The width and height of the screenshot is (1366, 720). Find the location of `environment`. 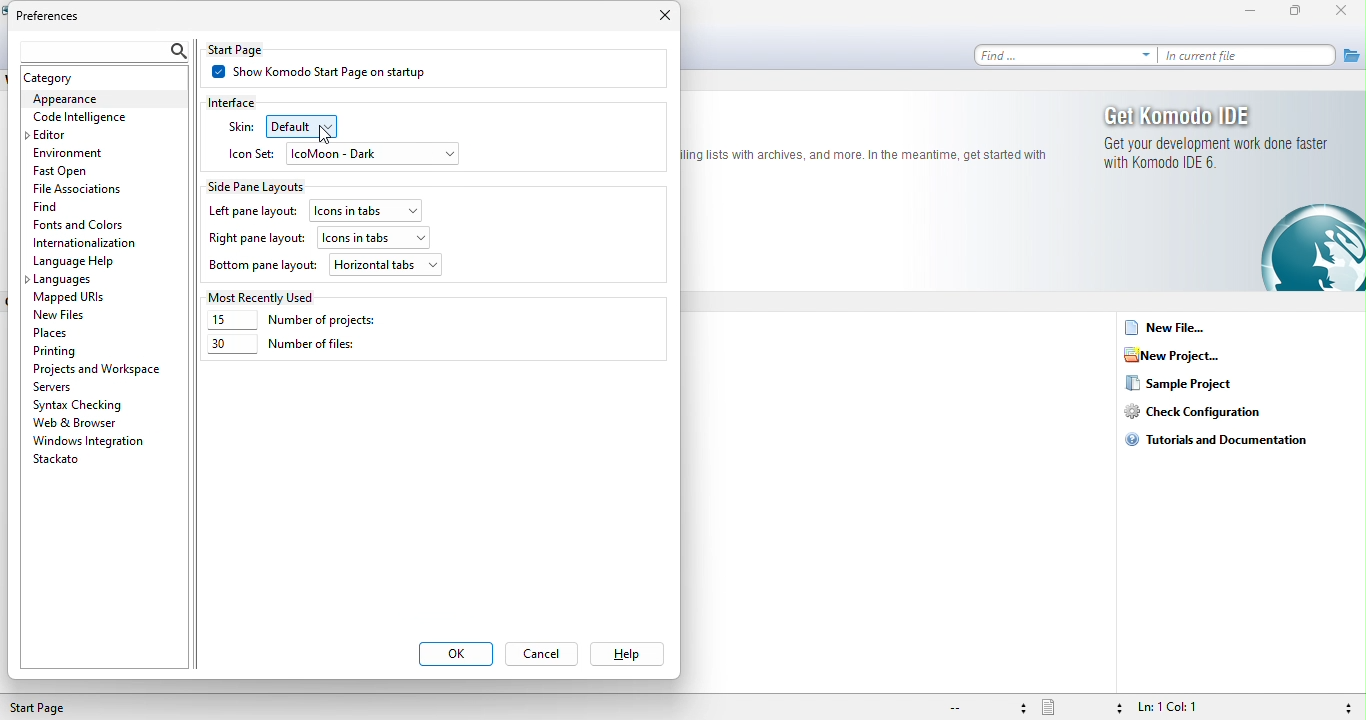

environment is located at coordinates (74, 152).